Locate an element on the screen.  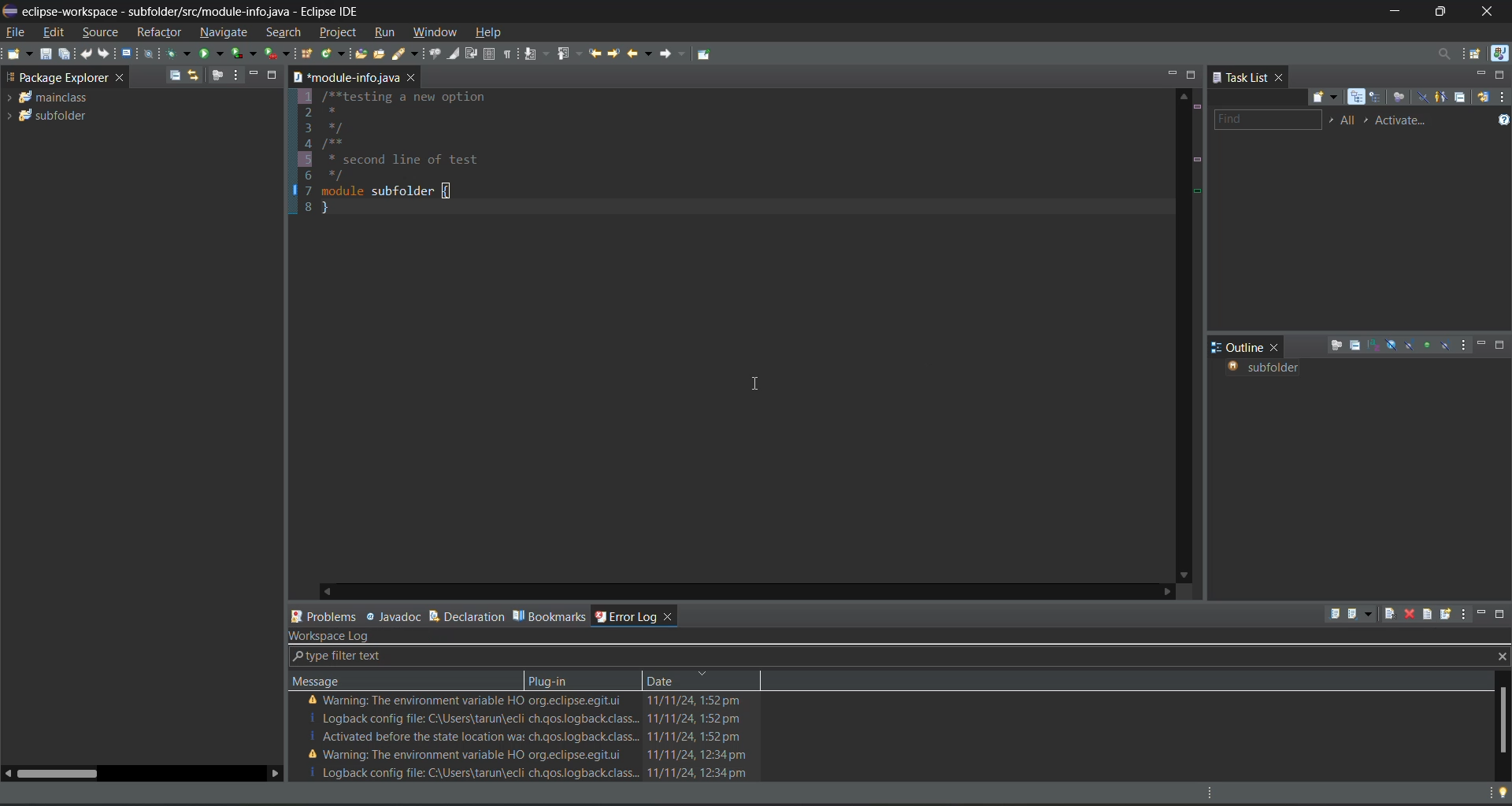
» eclipse-workspace - subfolder/src/module-info.java - Eclipse IDE is located at coordinates (201, 9).